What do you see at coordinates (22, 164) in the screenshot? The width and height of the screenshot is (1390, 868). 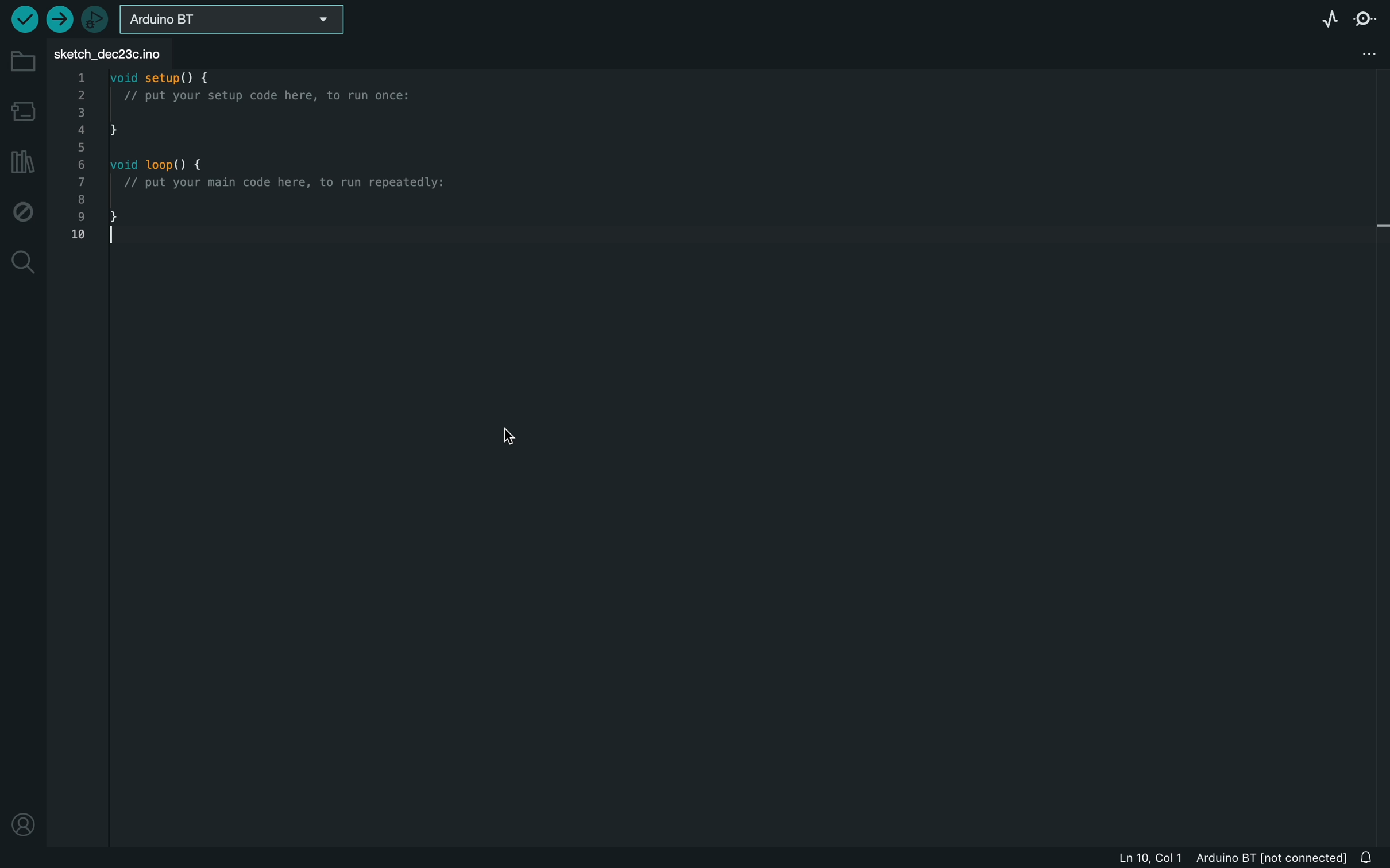 I see `library manager` at bounding box center [22, 164].